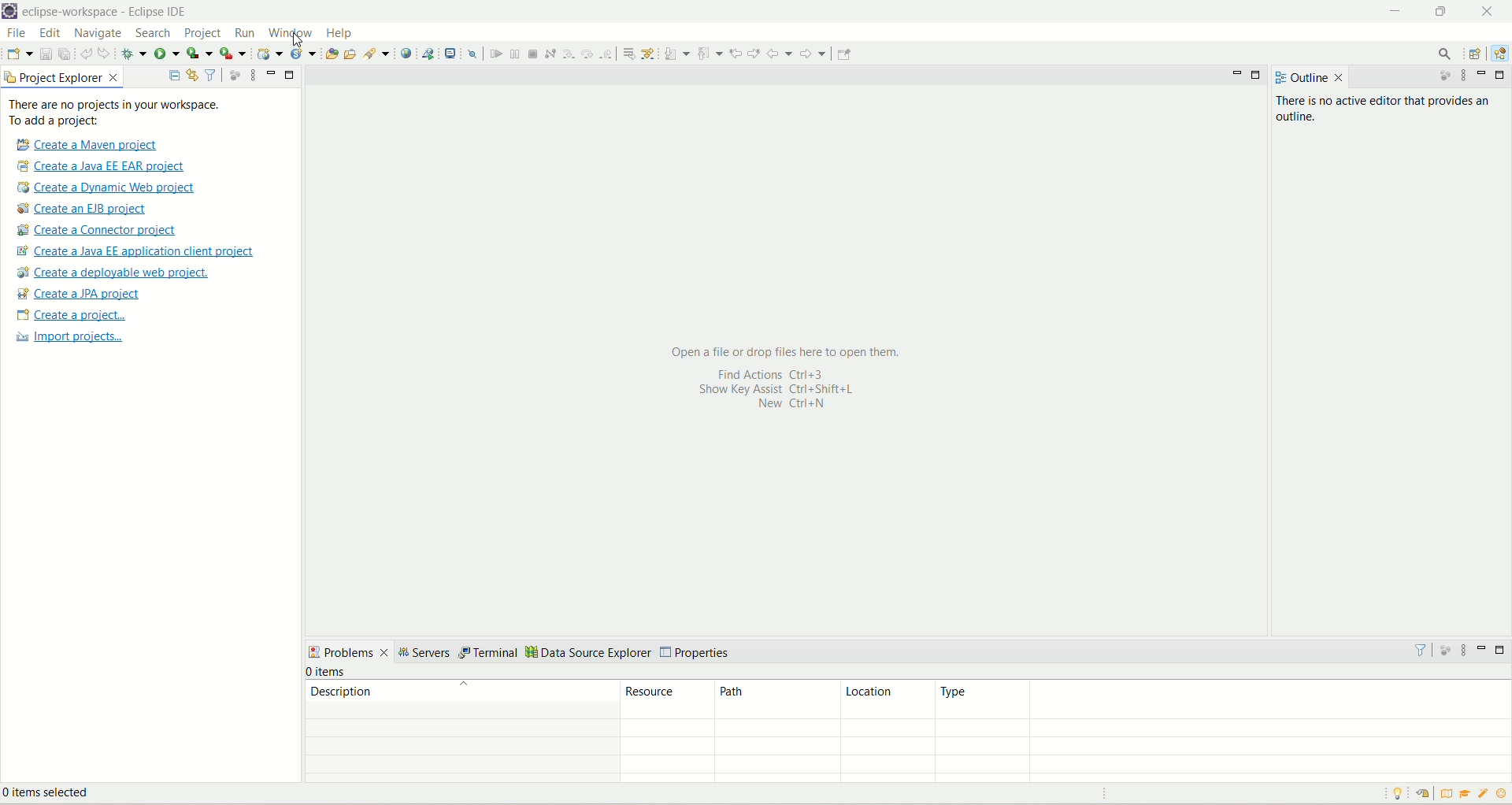  What do you see at coordinates (427, 653) in the screenshot?
I see `servers` at bounding box center [427, 653].